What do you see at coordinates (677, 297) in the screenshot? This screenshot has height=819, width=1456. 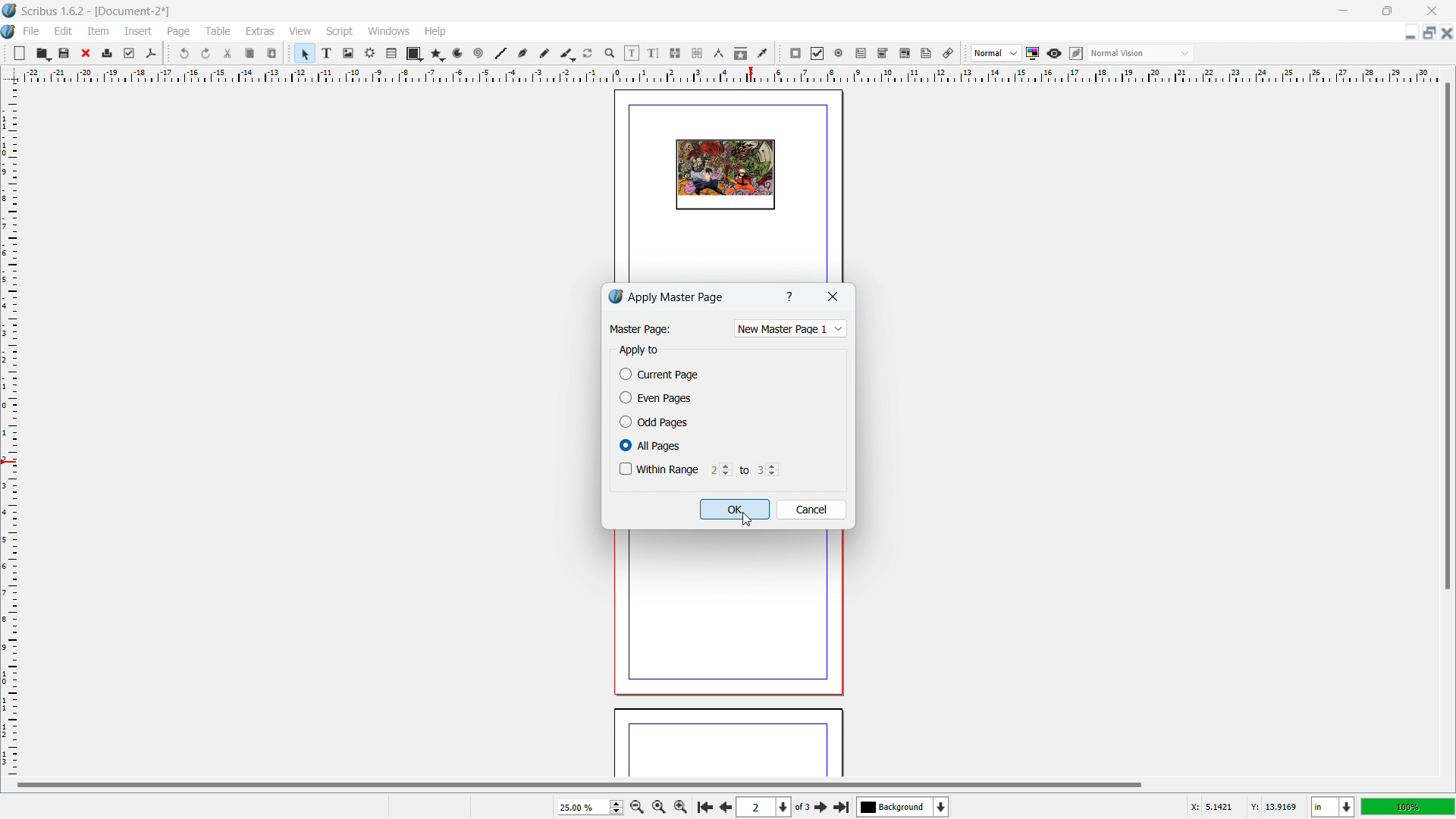 I see `apply master page` at bounding box center [677, 297].